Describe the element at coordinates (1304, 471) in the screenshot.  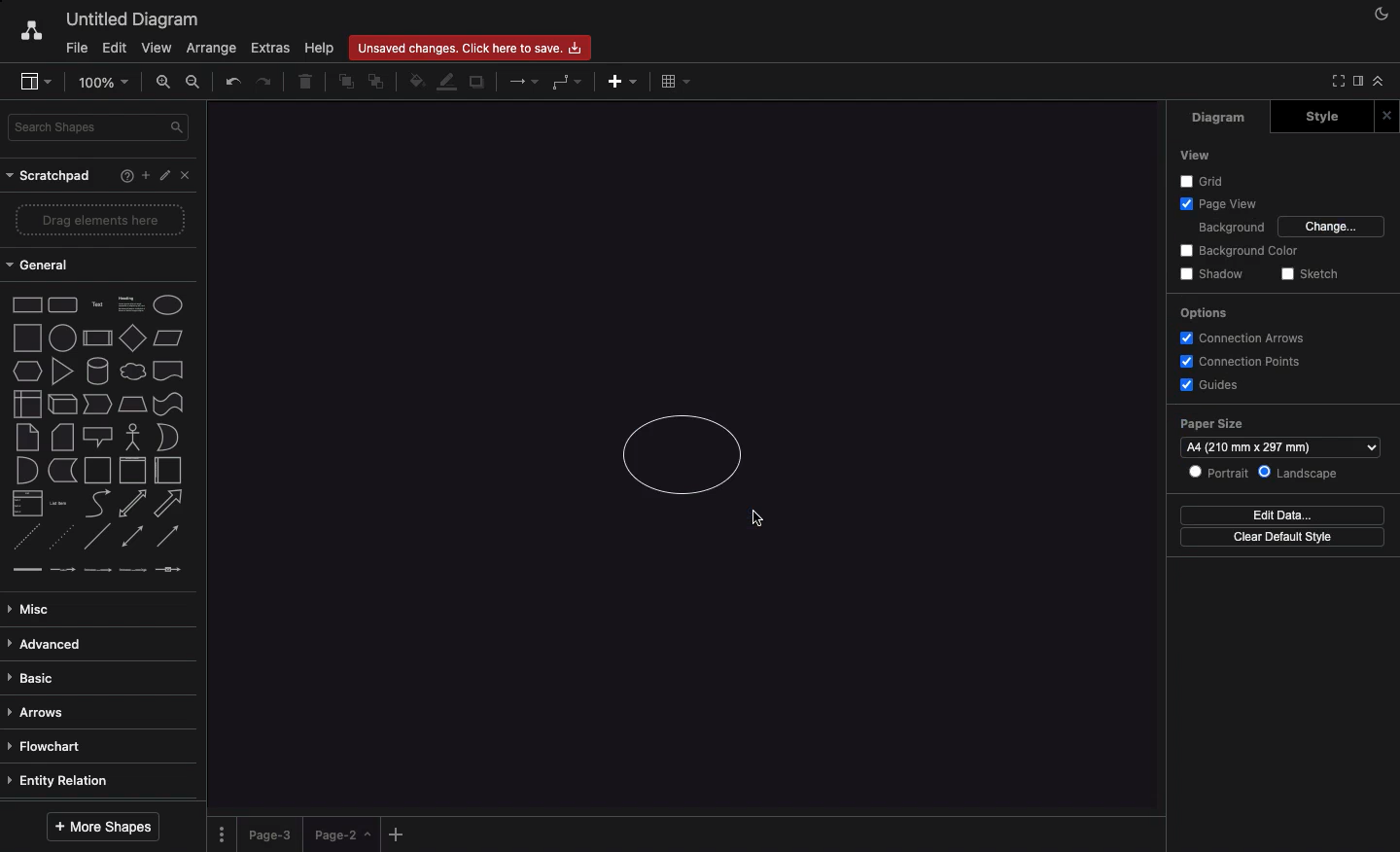
I see `Landscape` at that location.